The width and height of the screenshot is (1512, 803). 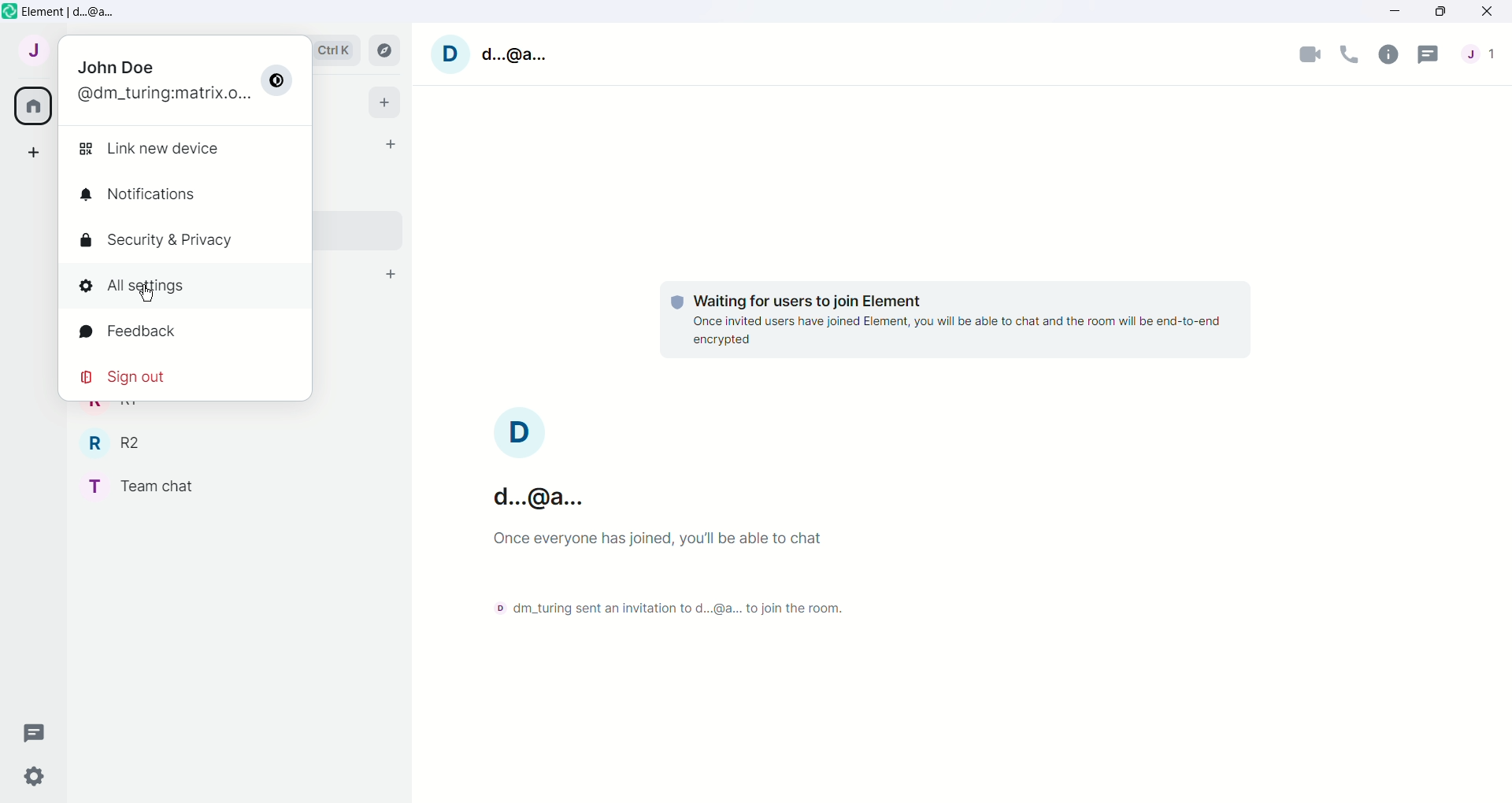 What do you see at coordinates (384, 102) in the screenshot?
I see `Add` at bounding box center [384, 102].